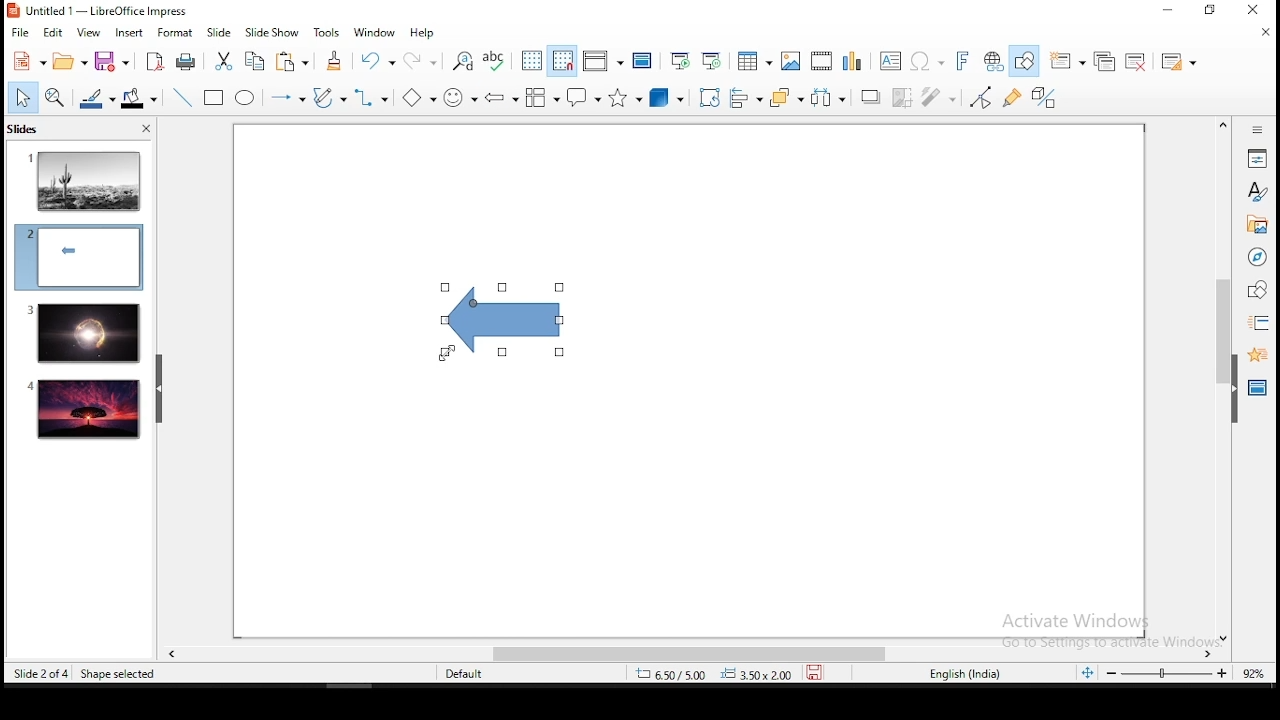  I want to click on close, so click(1267, 32).